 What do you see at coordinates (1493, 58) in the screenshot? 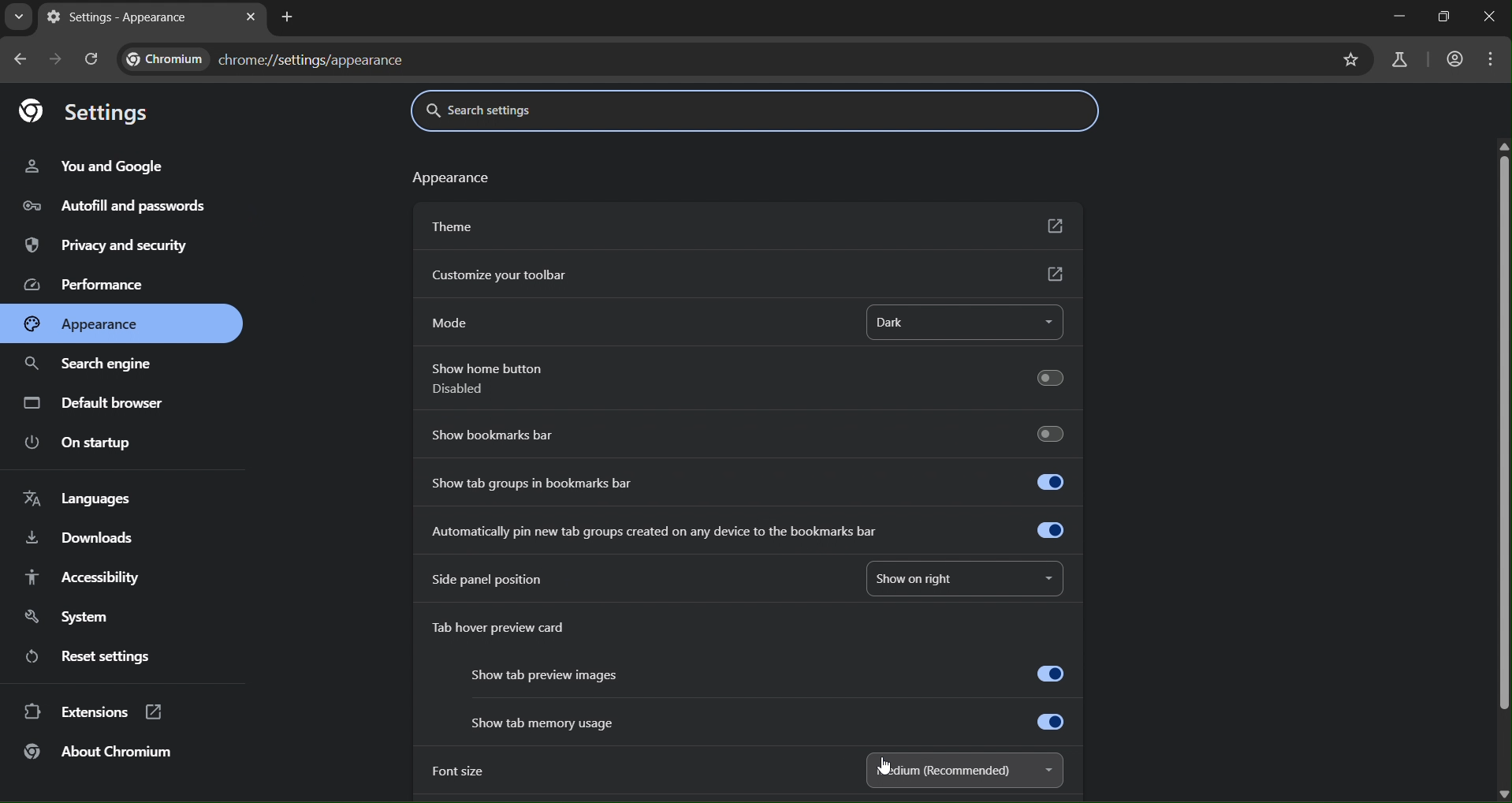
I see `menu` at bounding box center [1493, 58].